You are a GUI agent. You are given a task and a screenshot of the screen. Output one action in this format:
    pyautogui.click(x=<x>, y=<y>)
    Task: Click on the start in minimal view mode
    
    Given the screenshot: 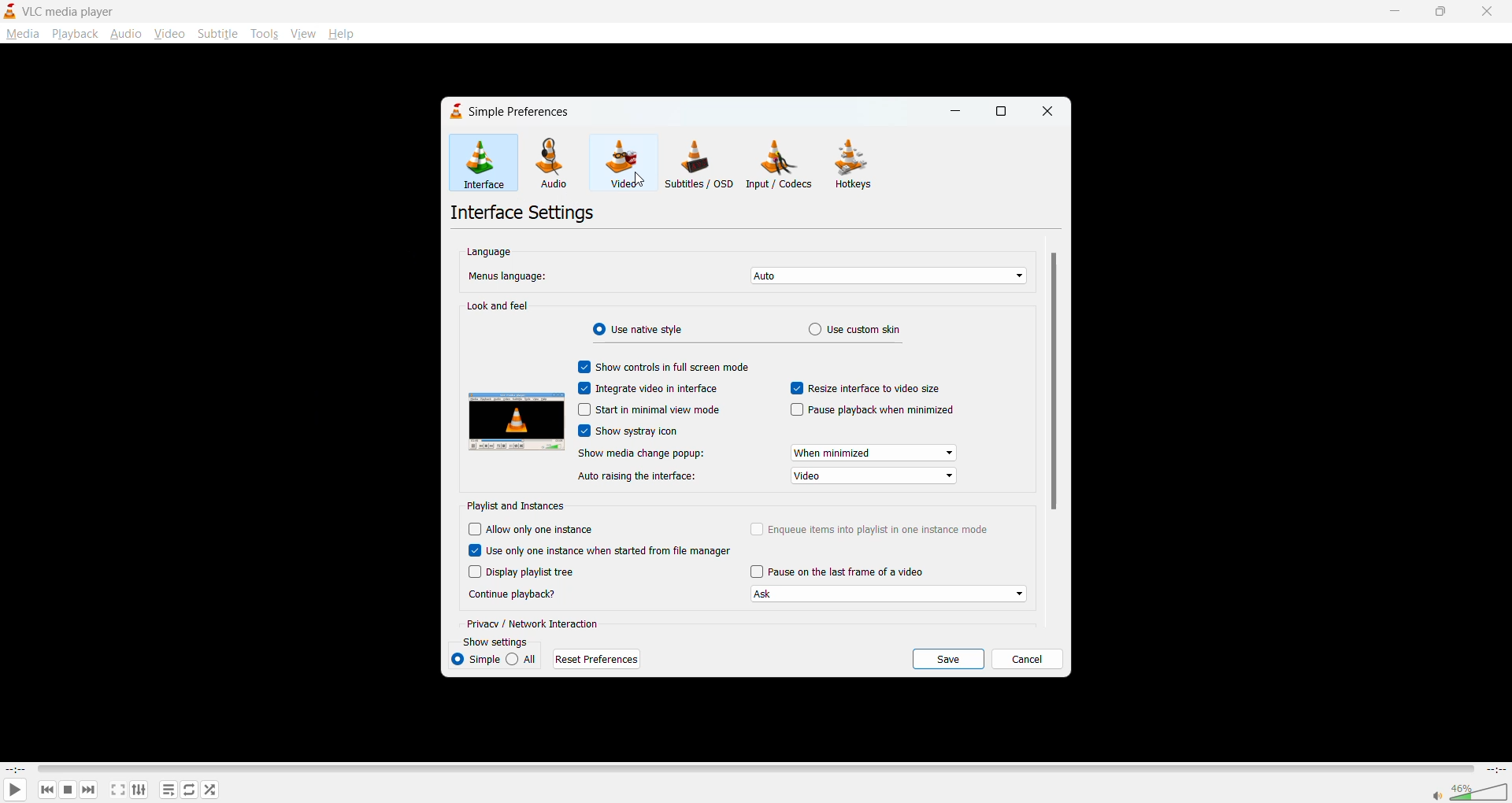 What is the action you would take?
    pyautogui.click(x=650, y=408)
    